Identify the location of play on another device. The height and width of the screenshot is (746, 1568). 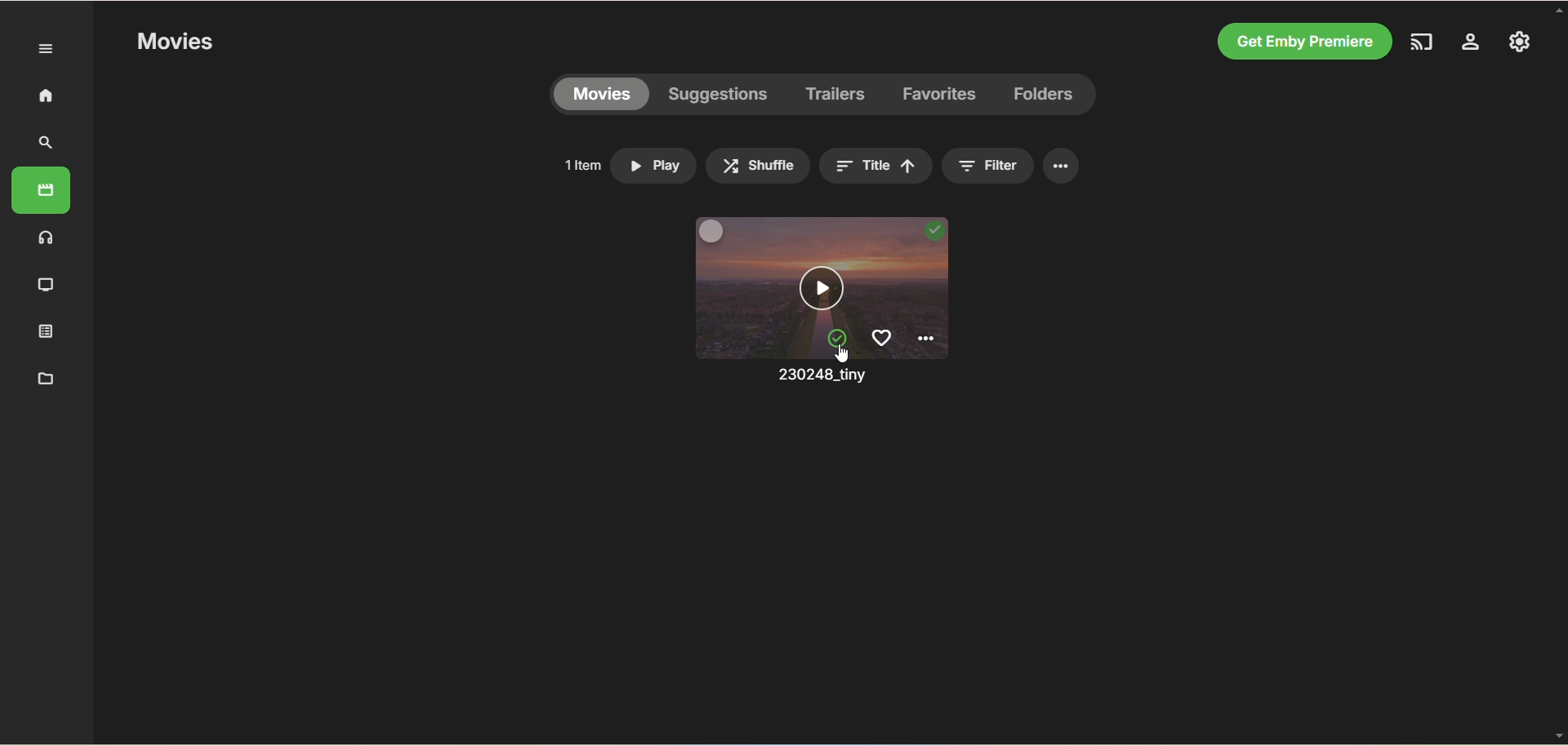
(1419, 41).